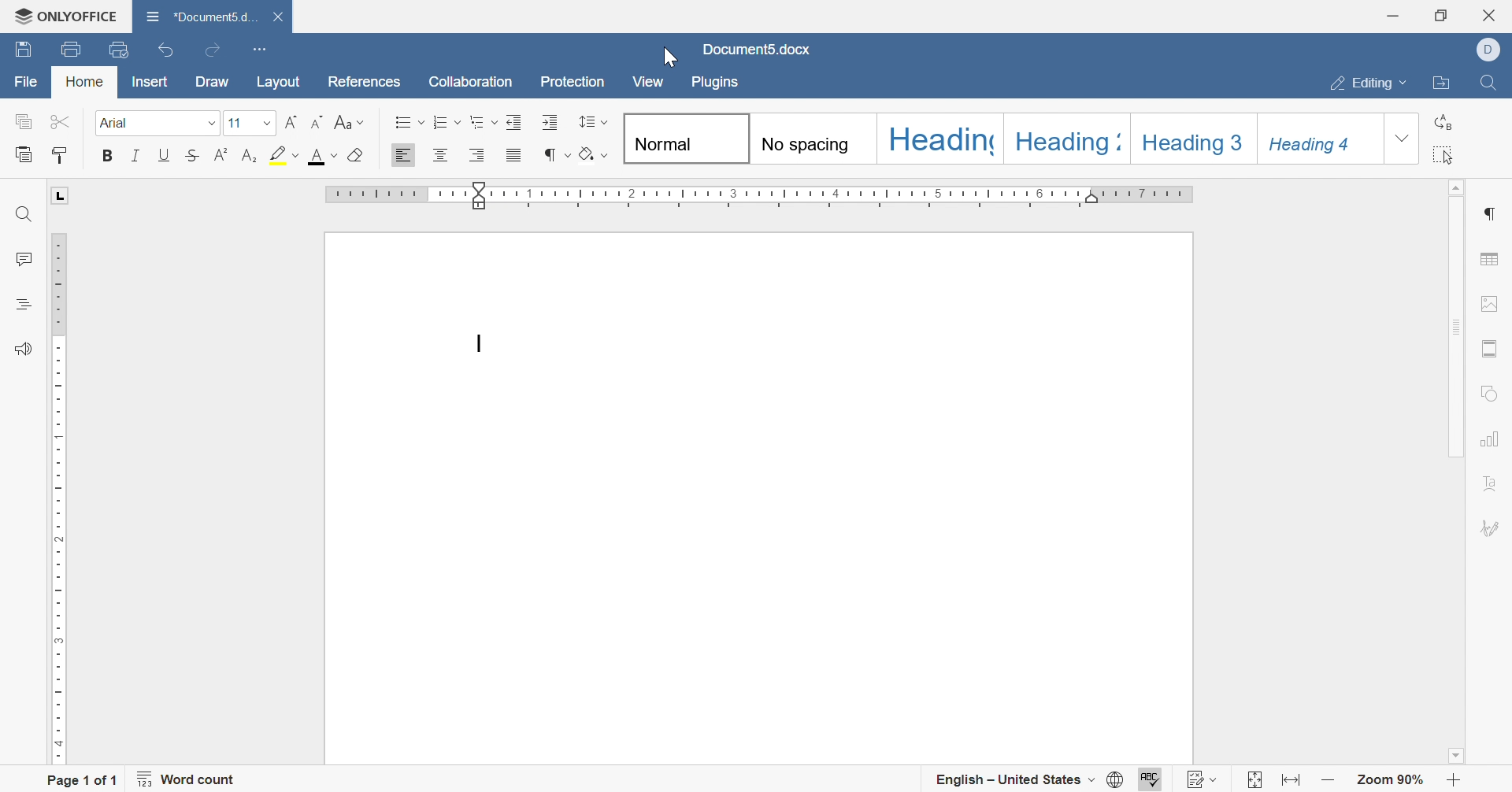  What do you see at coordinates (61, 196) in the screenshot?
I see `L` at bounding box center [61, 196].